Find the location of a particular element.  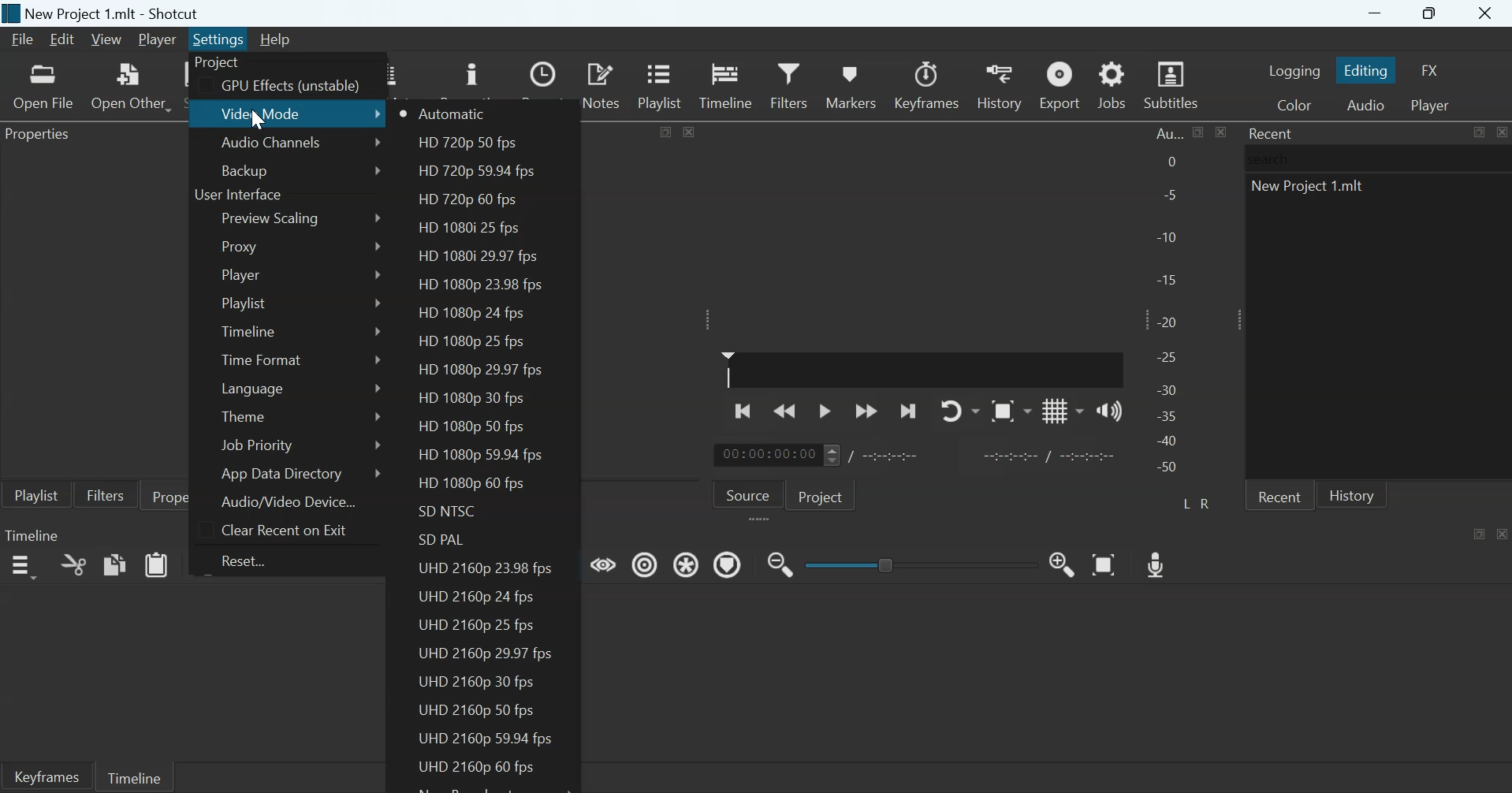

Timeline is located at coordinates (133, 776).